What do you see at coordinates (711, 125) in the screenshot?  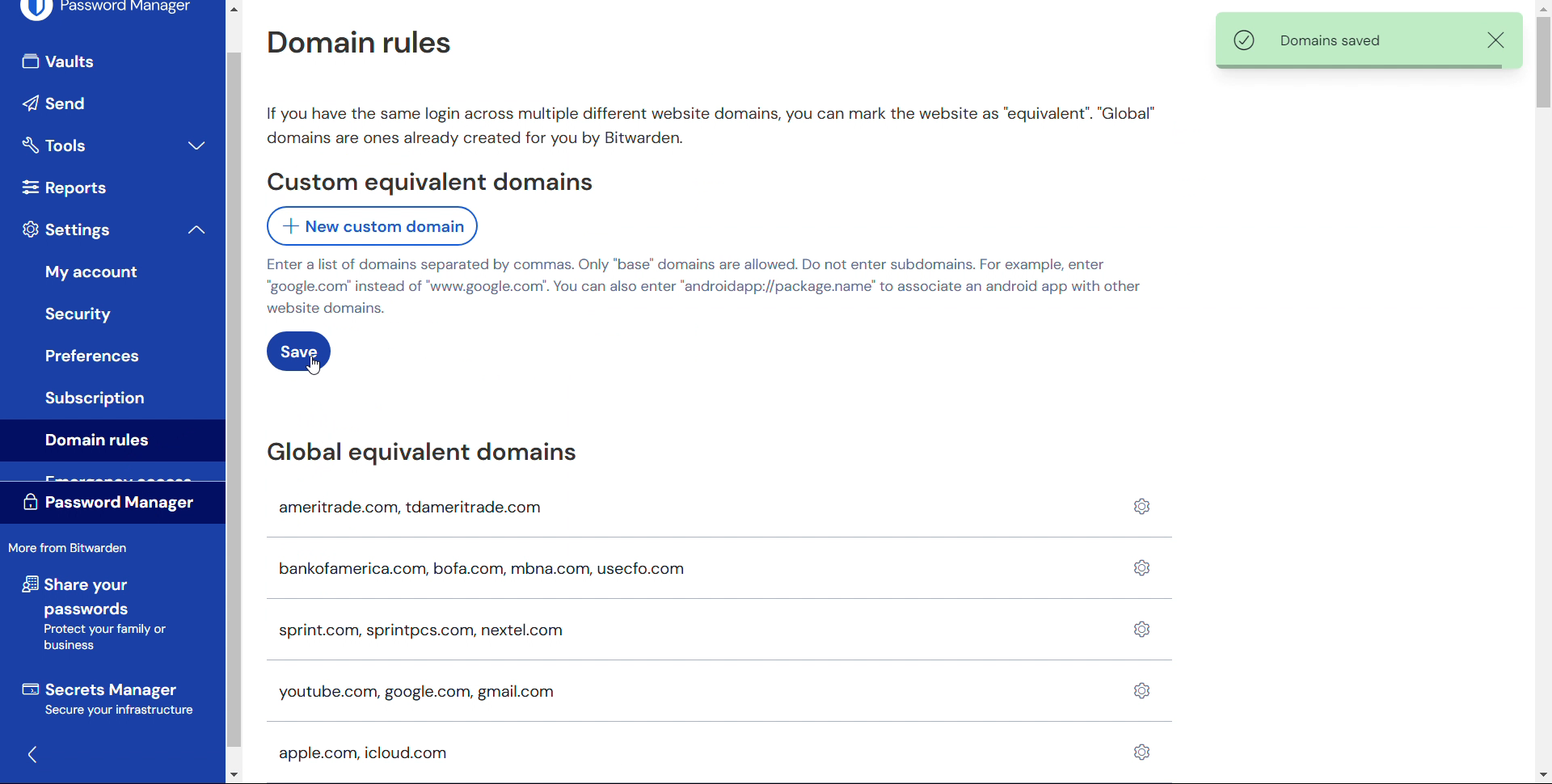 I see `If you have the same login across multiple different website domains, you can mark the website as “equivalent”. "Global"
domains are ones already created for you by Bitwarden.` at bounding box center [711, 125].